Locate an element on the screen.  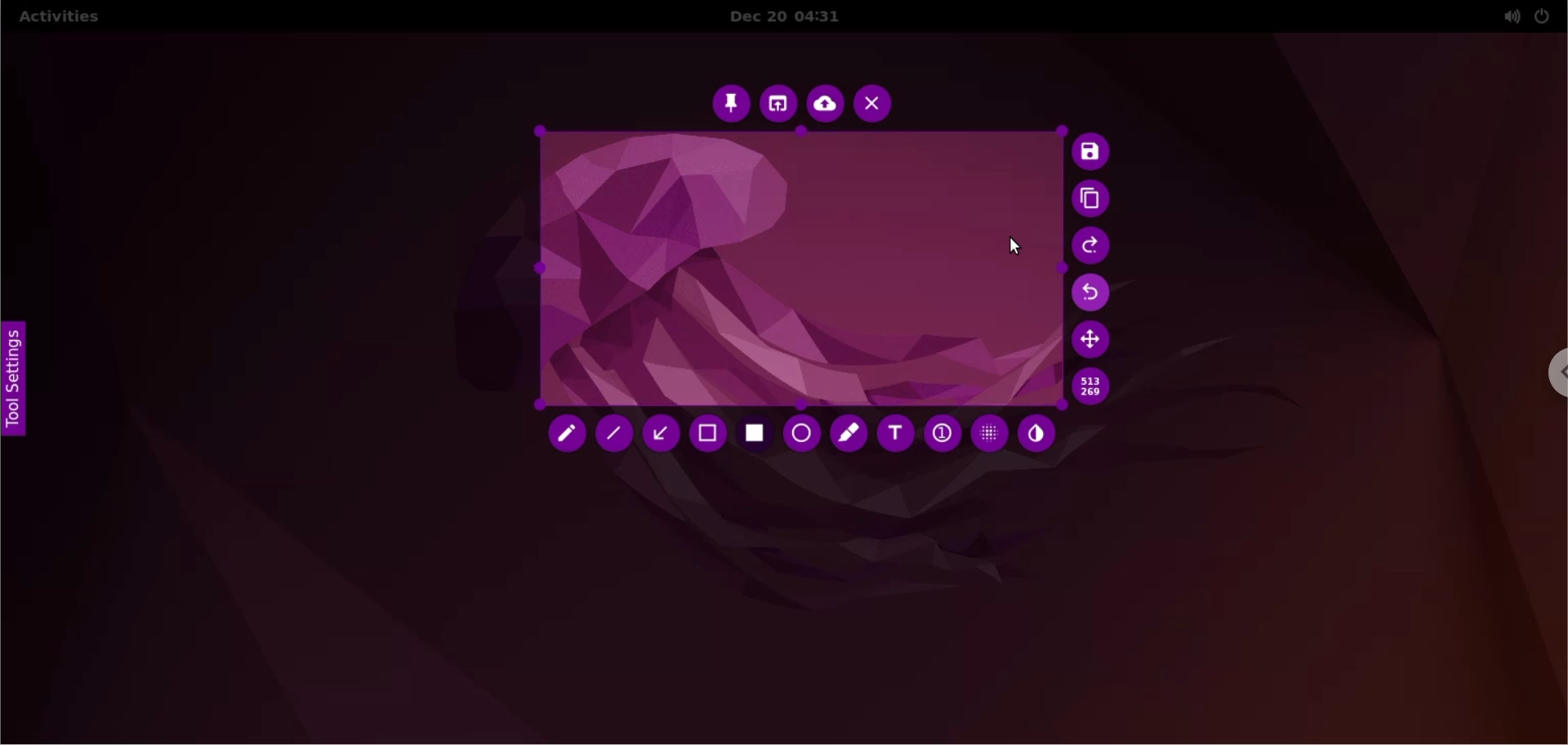
chrome options is located at coordinates (1555, 373).